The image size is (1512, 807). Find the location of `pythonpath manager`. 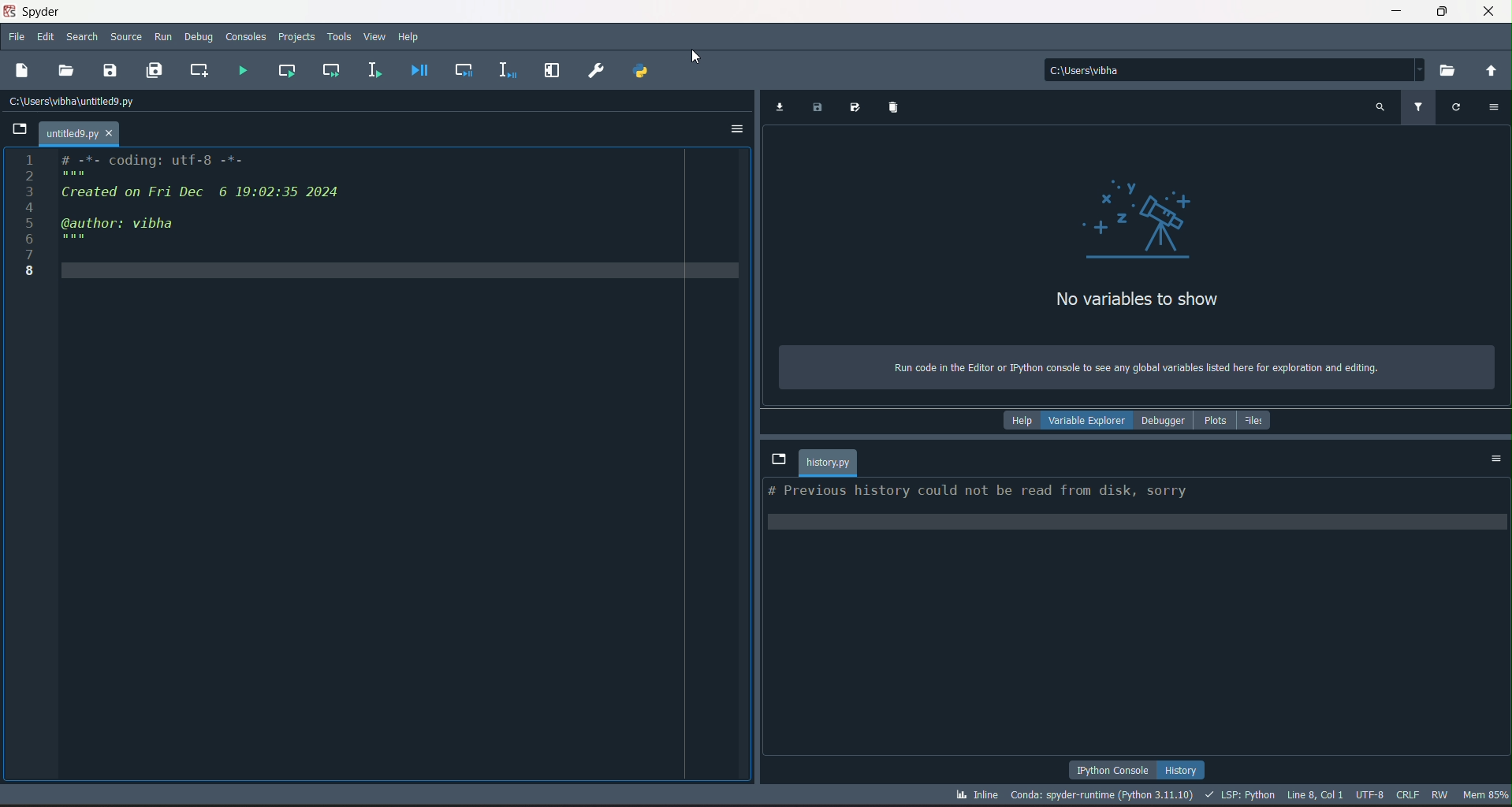

pythonpath manager is located at coordinates (646, 72).